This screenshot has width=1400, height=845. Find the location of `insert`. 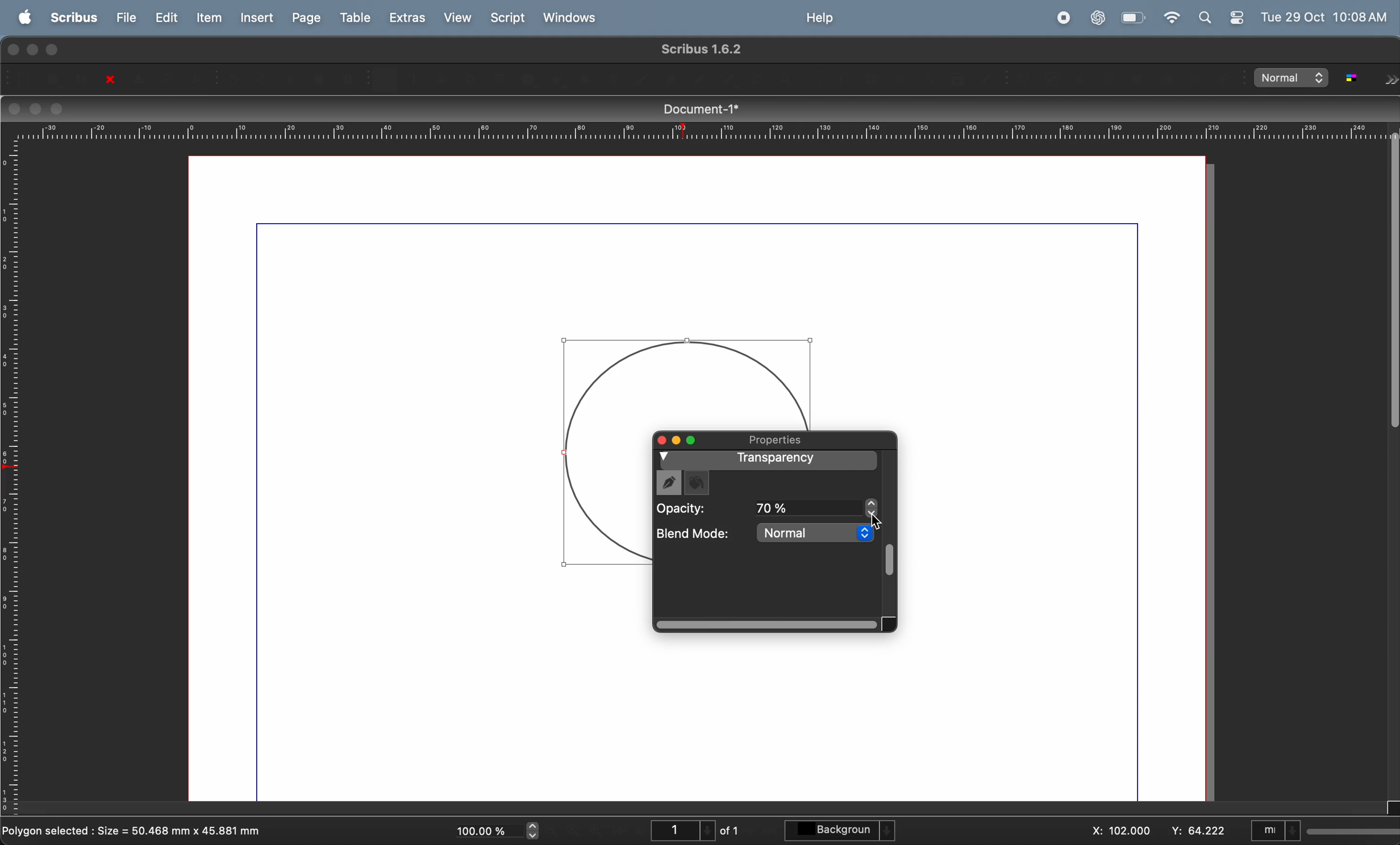

insert is located at coordinates (254, 19).